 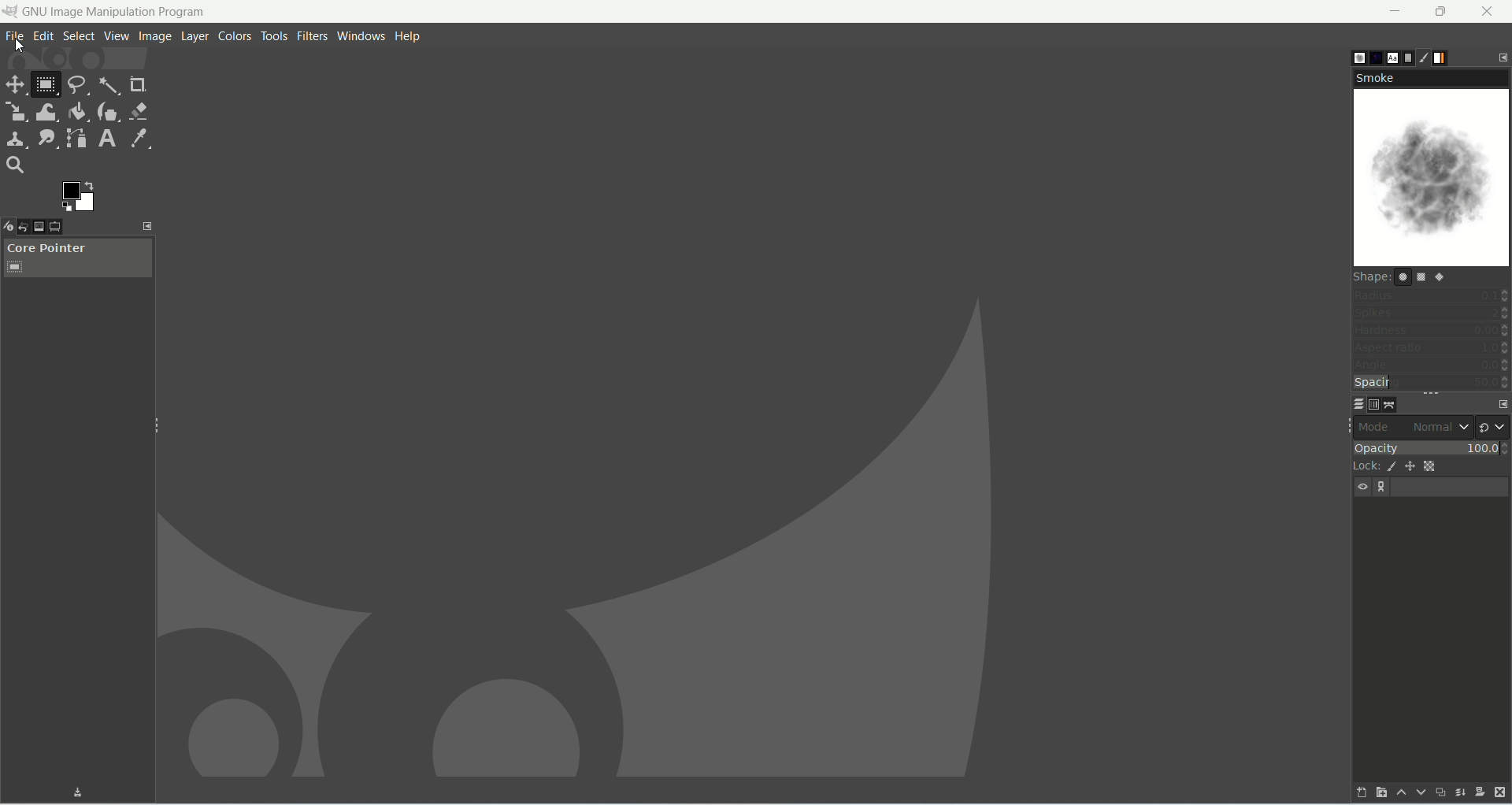 What do you see at coordinates (109, 86) in the screenshot?
I see `fuzzy select` at bounding box center [109, 86].